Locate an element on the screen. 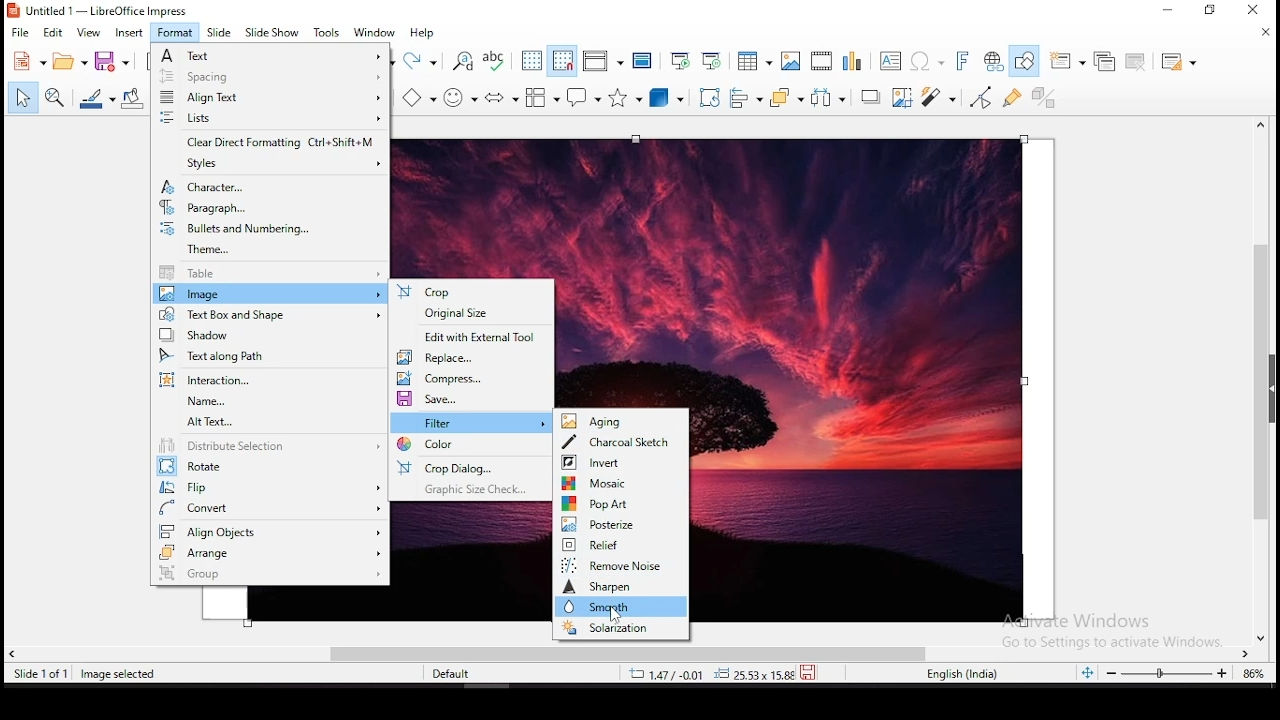  paragraph is located at coordinates (268, 208).